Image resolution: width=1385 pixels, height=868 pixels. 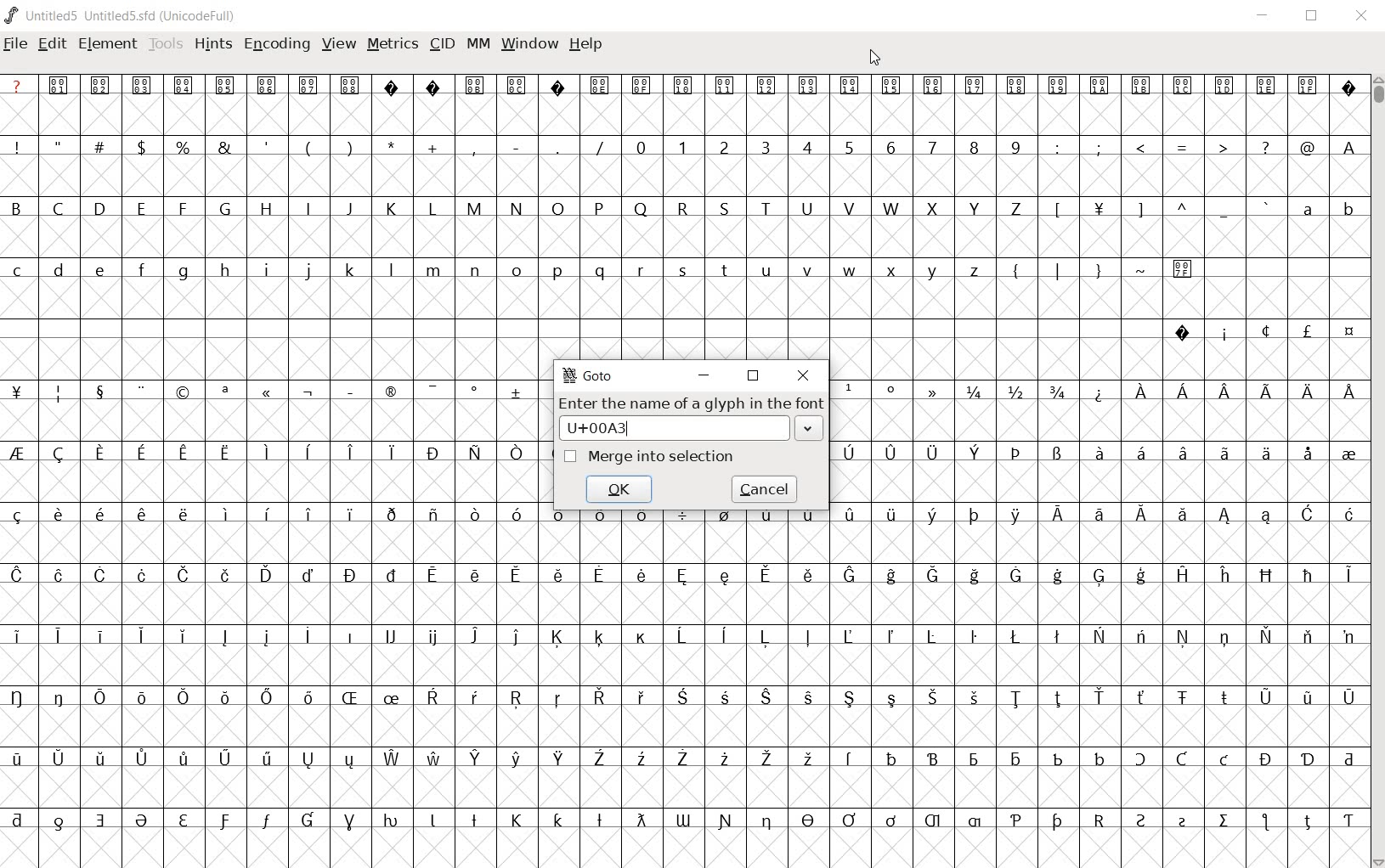 I want to click on Symbol, so click(x=1015, y=516).